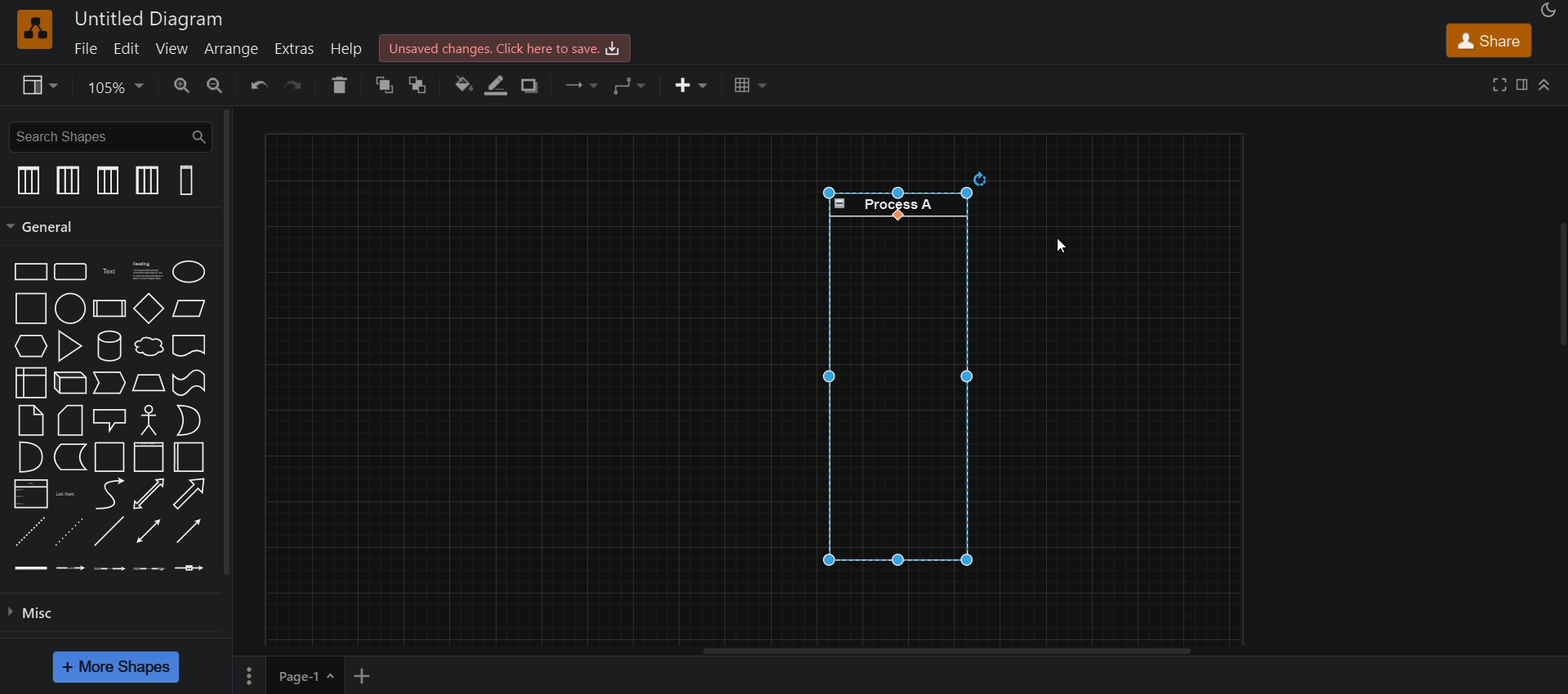  I want to click on undo, so click(256, 87).